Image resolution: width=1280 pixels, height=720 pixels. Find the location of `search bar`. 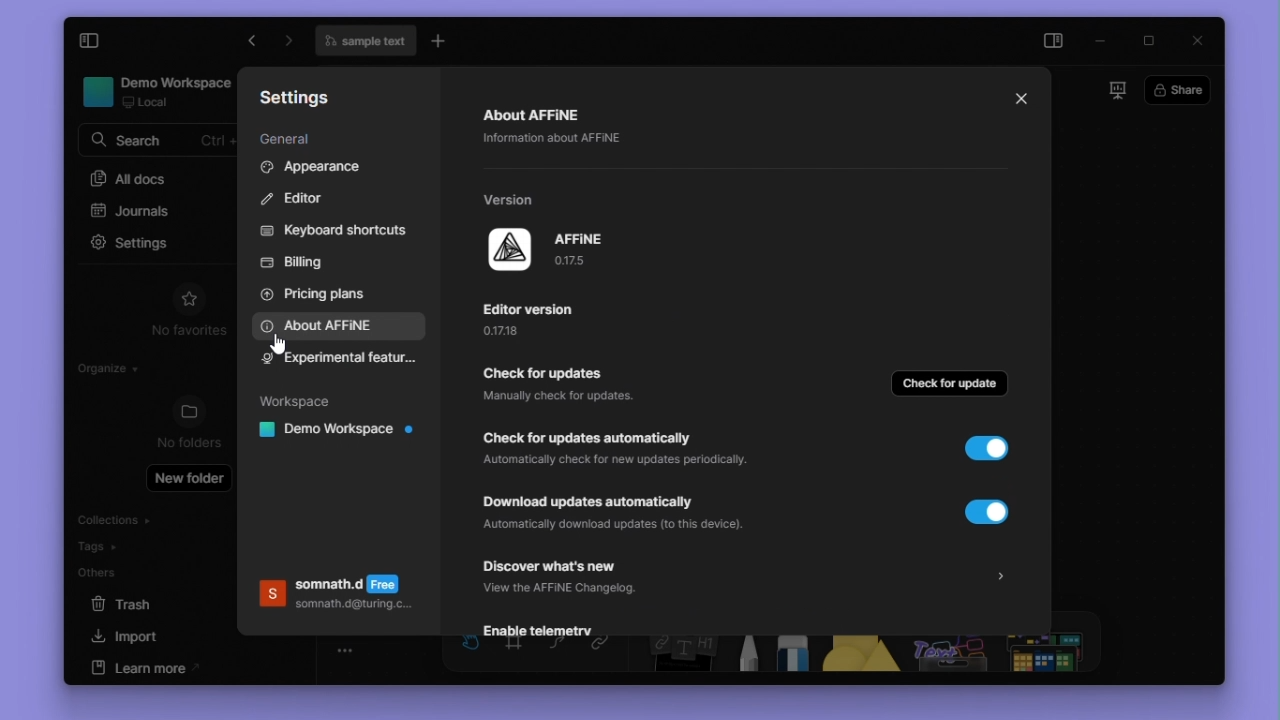

search bar is located at coordinates (153, 142).